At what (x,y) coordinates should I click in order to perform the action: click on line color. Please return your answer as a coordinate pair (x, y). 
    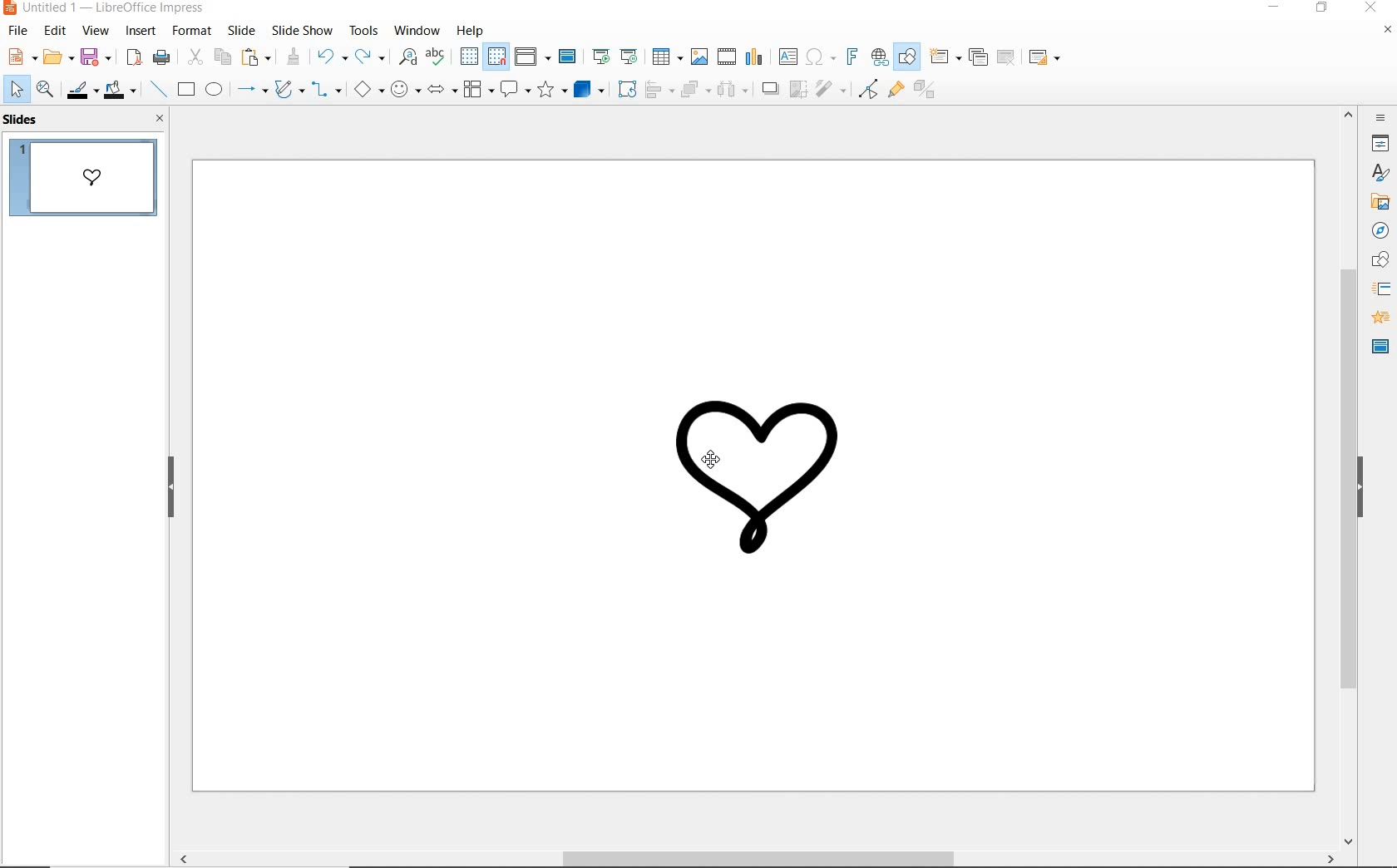
    Looking at the image, I should click on (81, 90).